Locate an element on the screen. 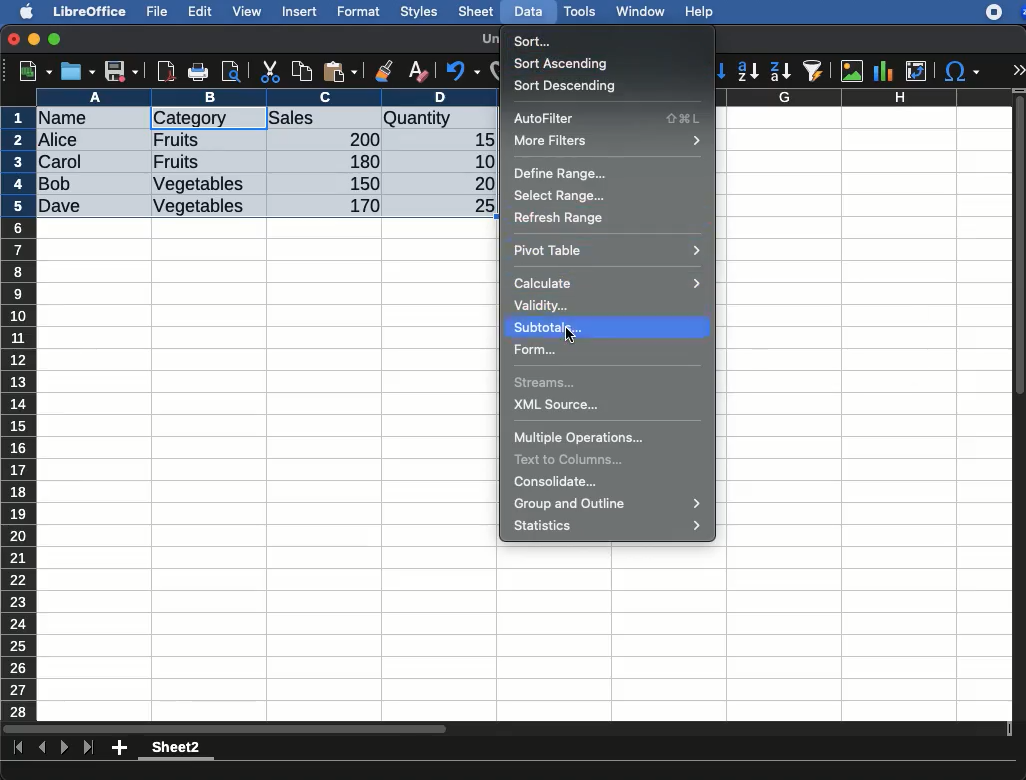  minimize is located at coordinates (35, 39).